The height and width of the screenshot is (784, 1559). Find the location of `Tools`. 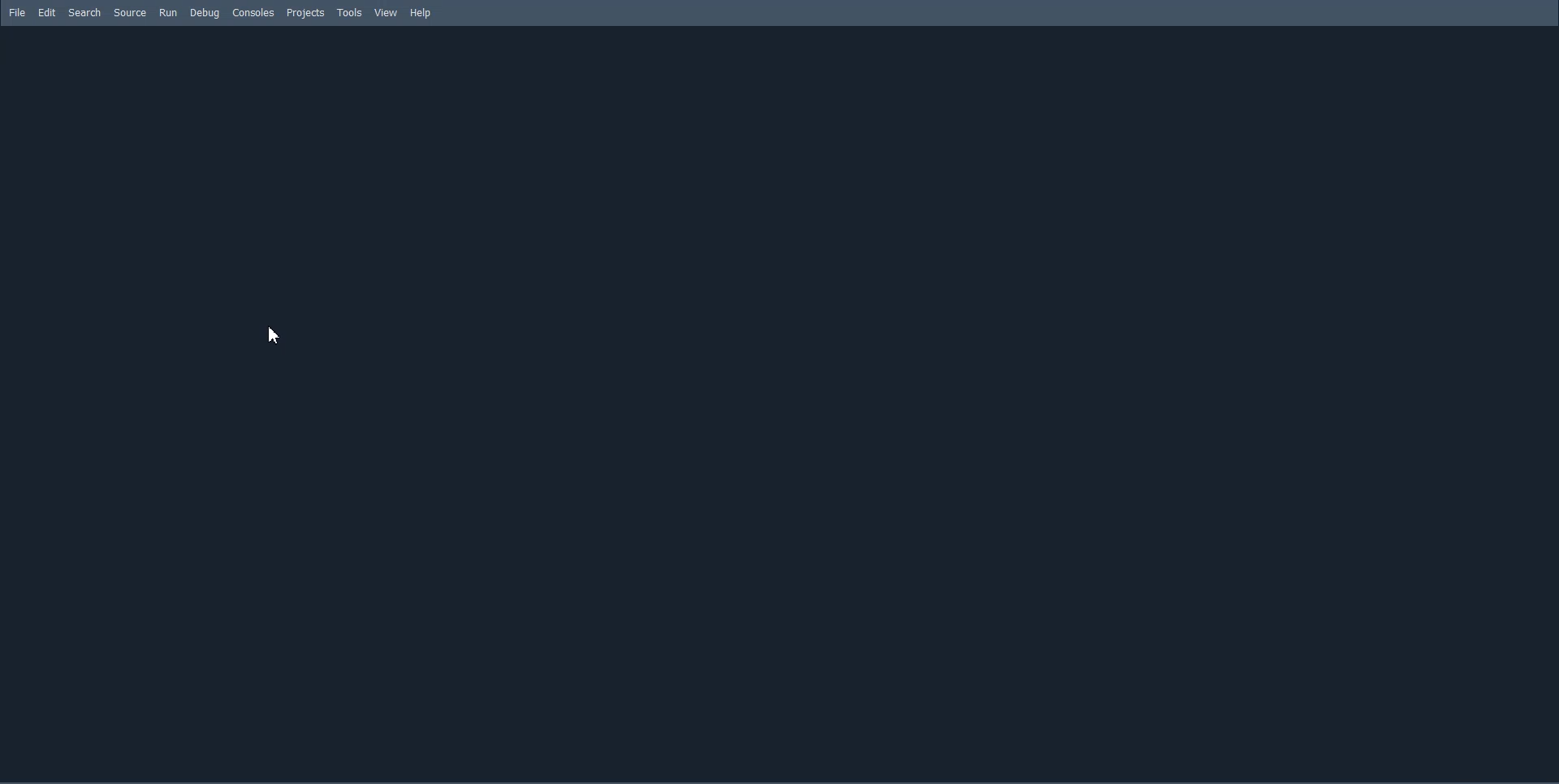

Tools is located at coordinates (349, 12).